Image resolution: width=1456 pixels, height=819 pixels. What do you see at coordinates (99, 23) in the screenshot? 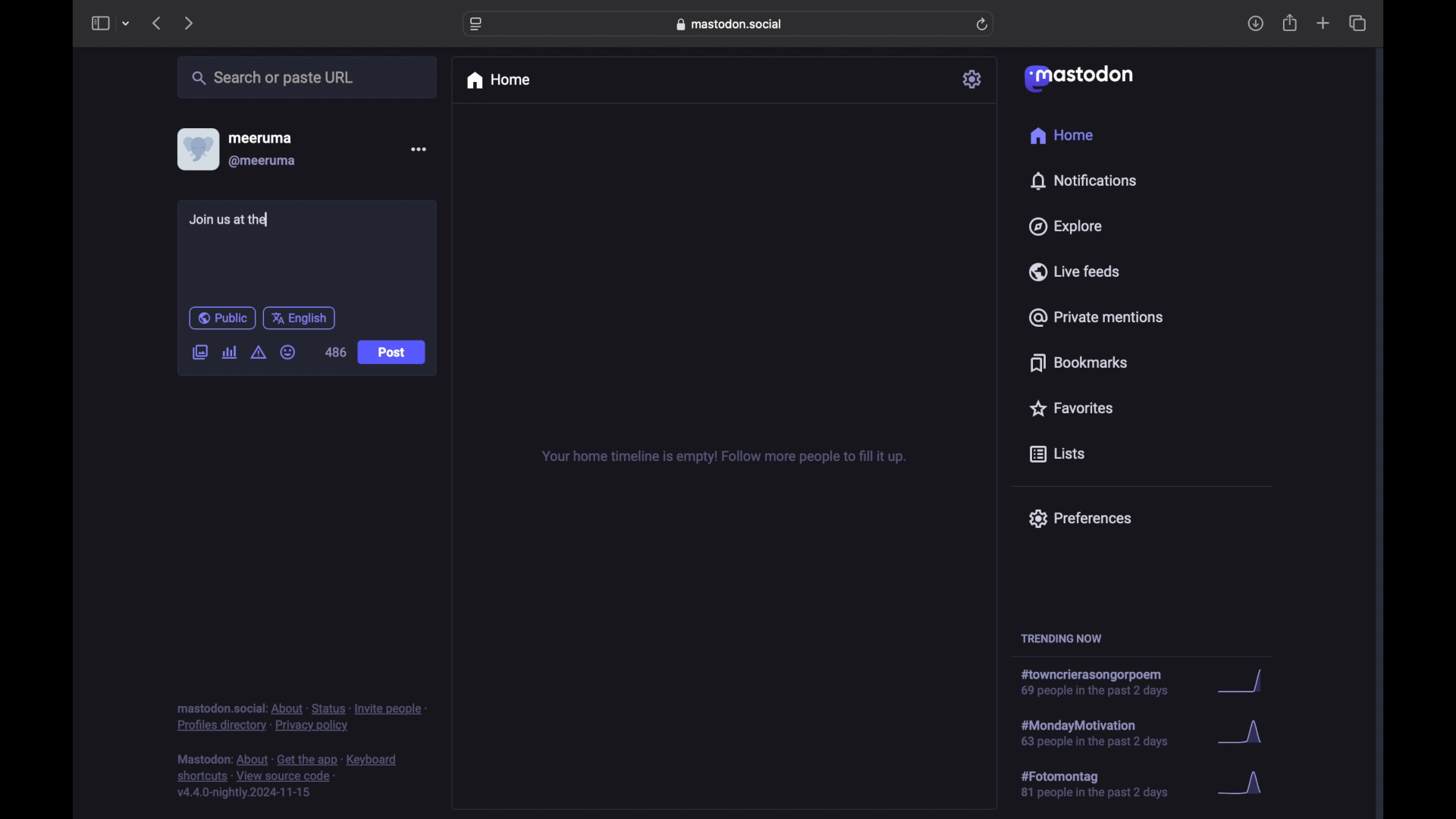
I see `sidebar` at bounding box center [99, 23].